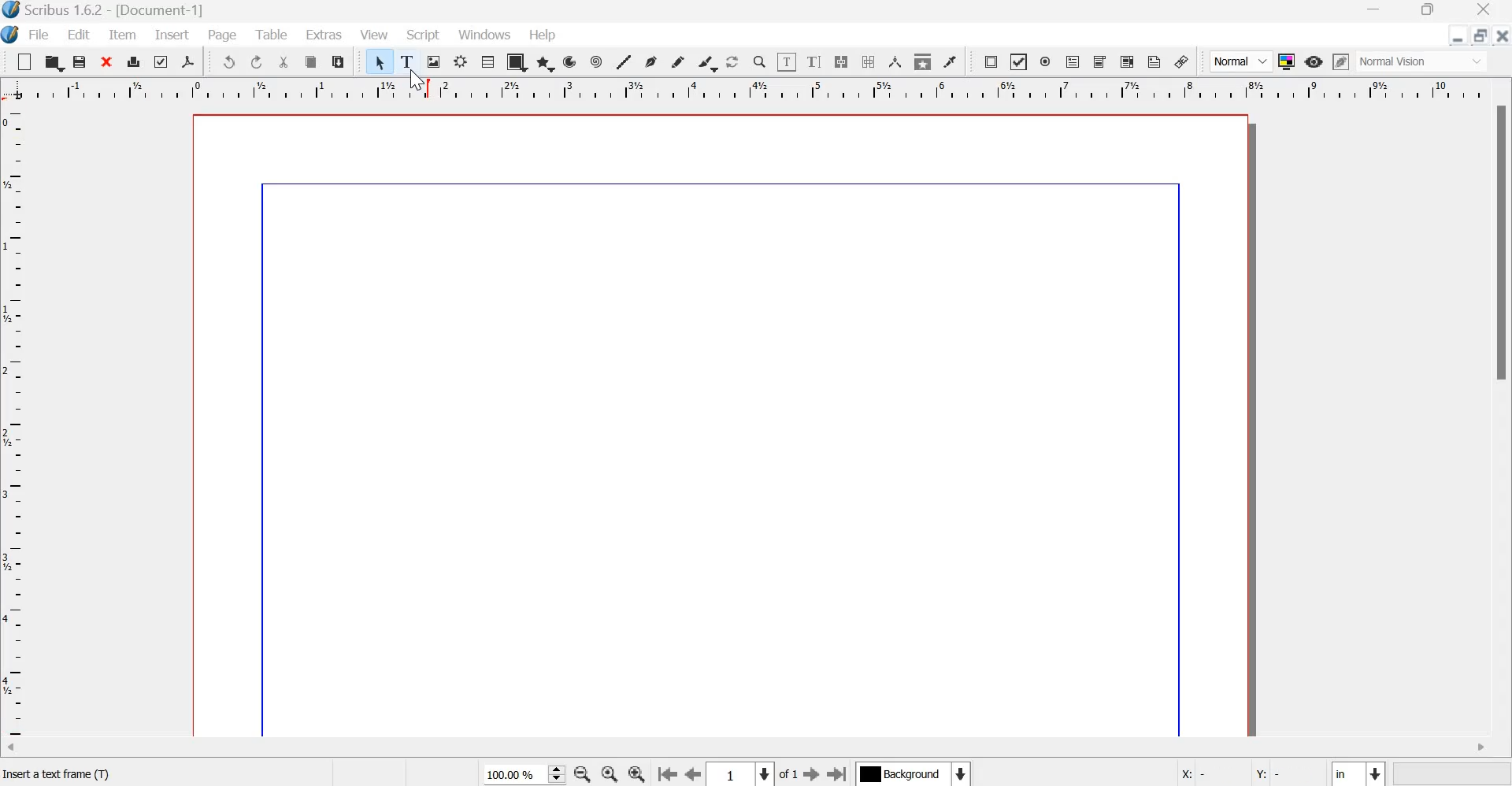 The height and width of the screenshot is (786, 1512). Describe the element at coordinates (172, 35) in the screenshot. I see `Insert` at that location.